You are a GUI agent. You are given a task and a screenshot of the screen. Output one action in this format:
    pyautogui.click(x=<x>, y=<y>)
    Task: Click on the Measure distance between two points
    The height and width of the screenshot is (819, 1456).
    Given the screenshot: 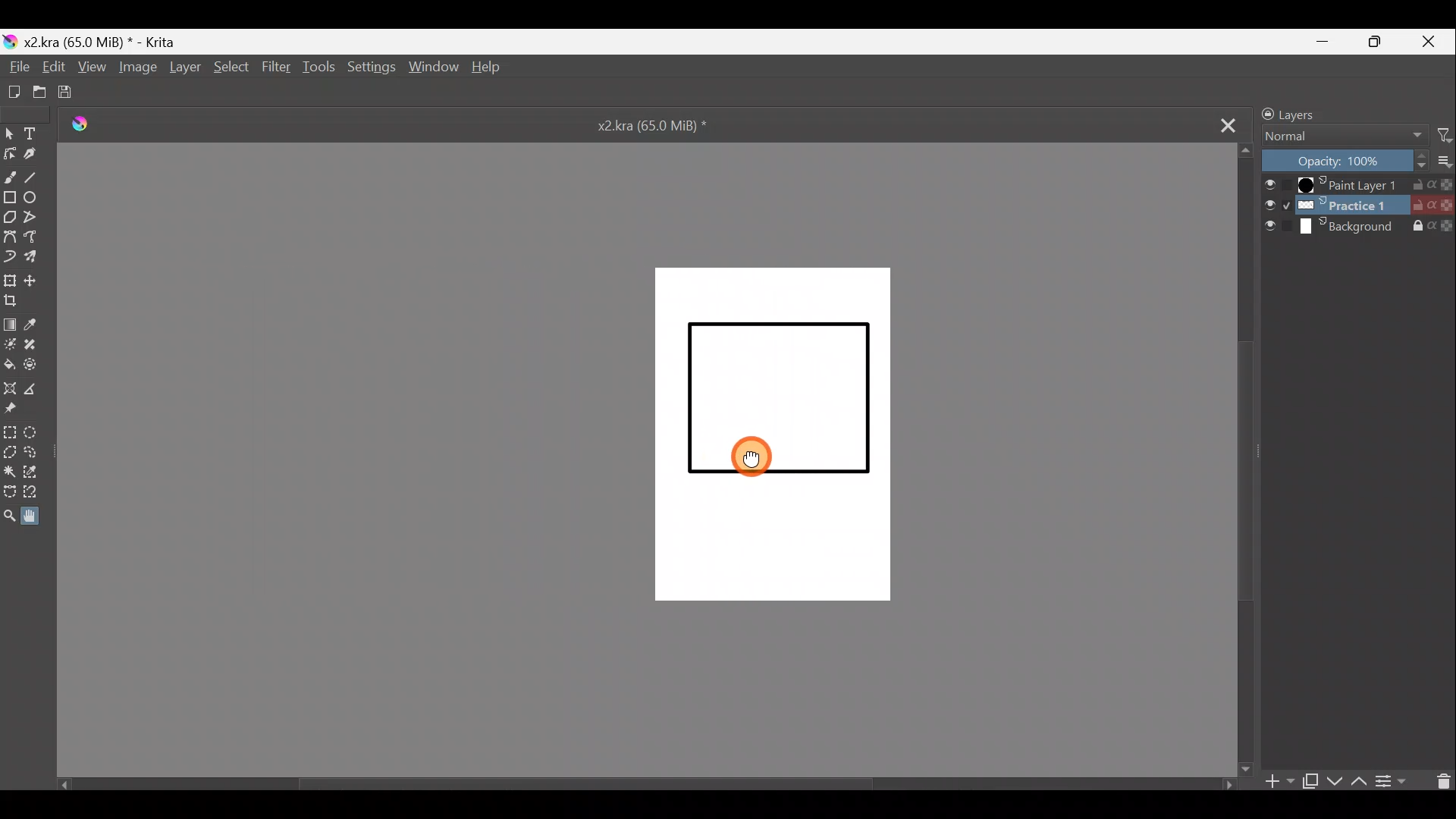 What is the action you would take?
    pyautogui.click(x=33, y=389)
    